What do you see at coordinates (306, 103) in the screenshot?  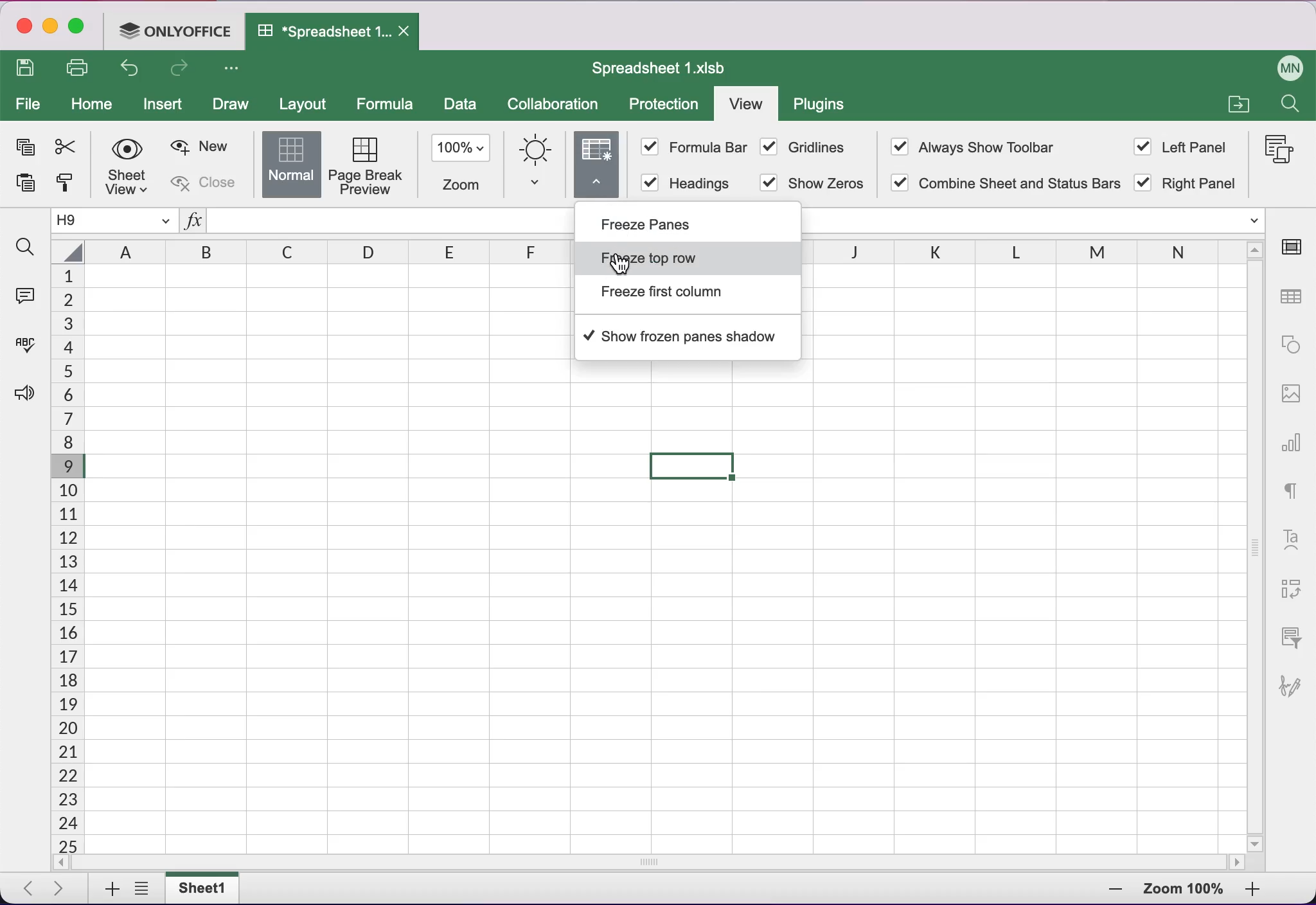 I see `layout` at bounding box center [306, 103].